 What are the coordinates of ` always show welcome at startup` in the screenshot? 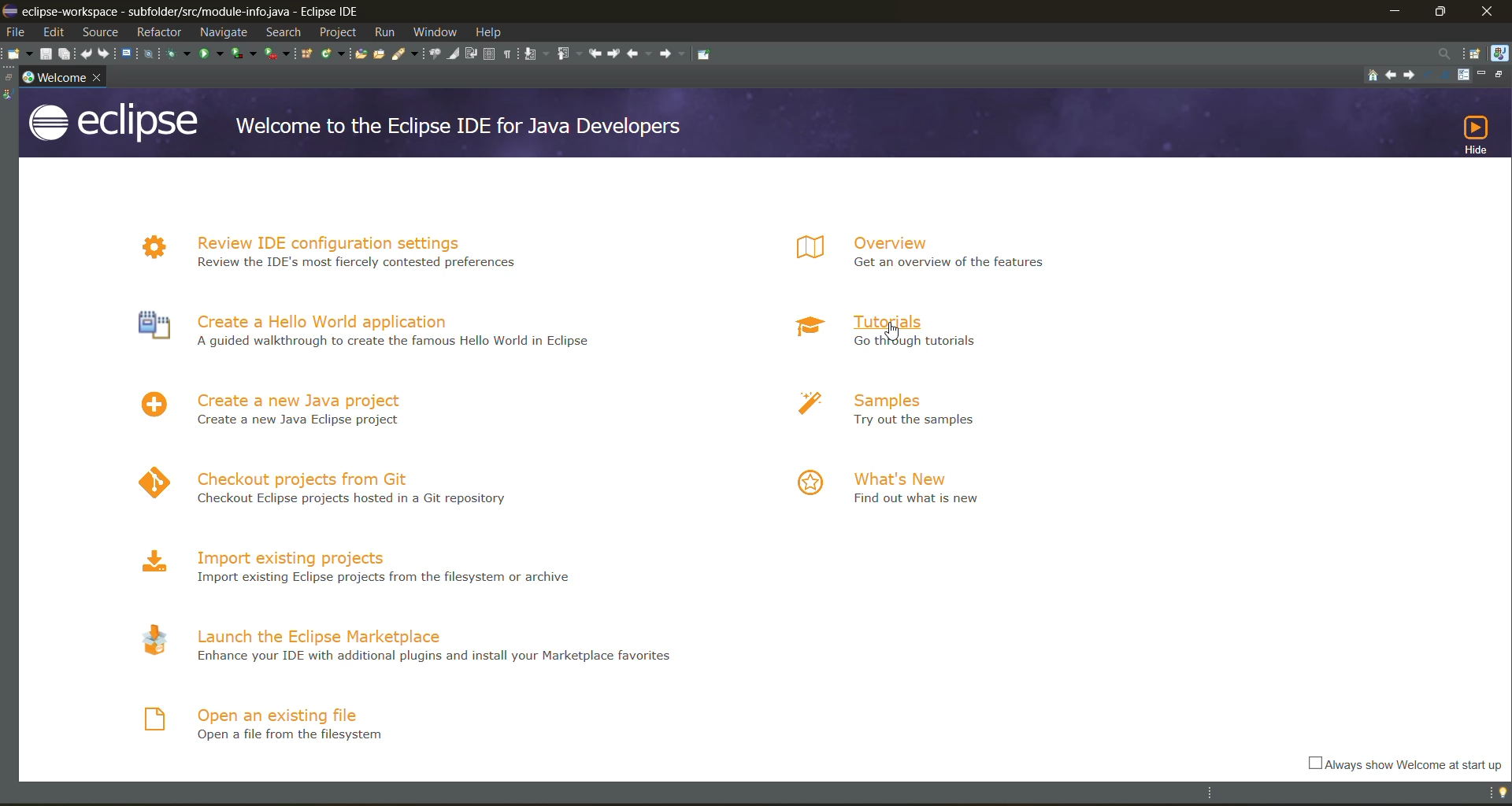 It's located at (1408, 764).